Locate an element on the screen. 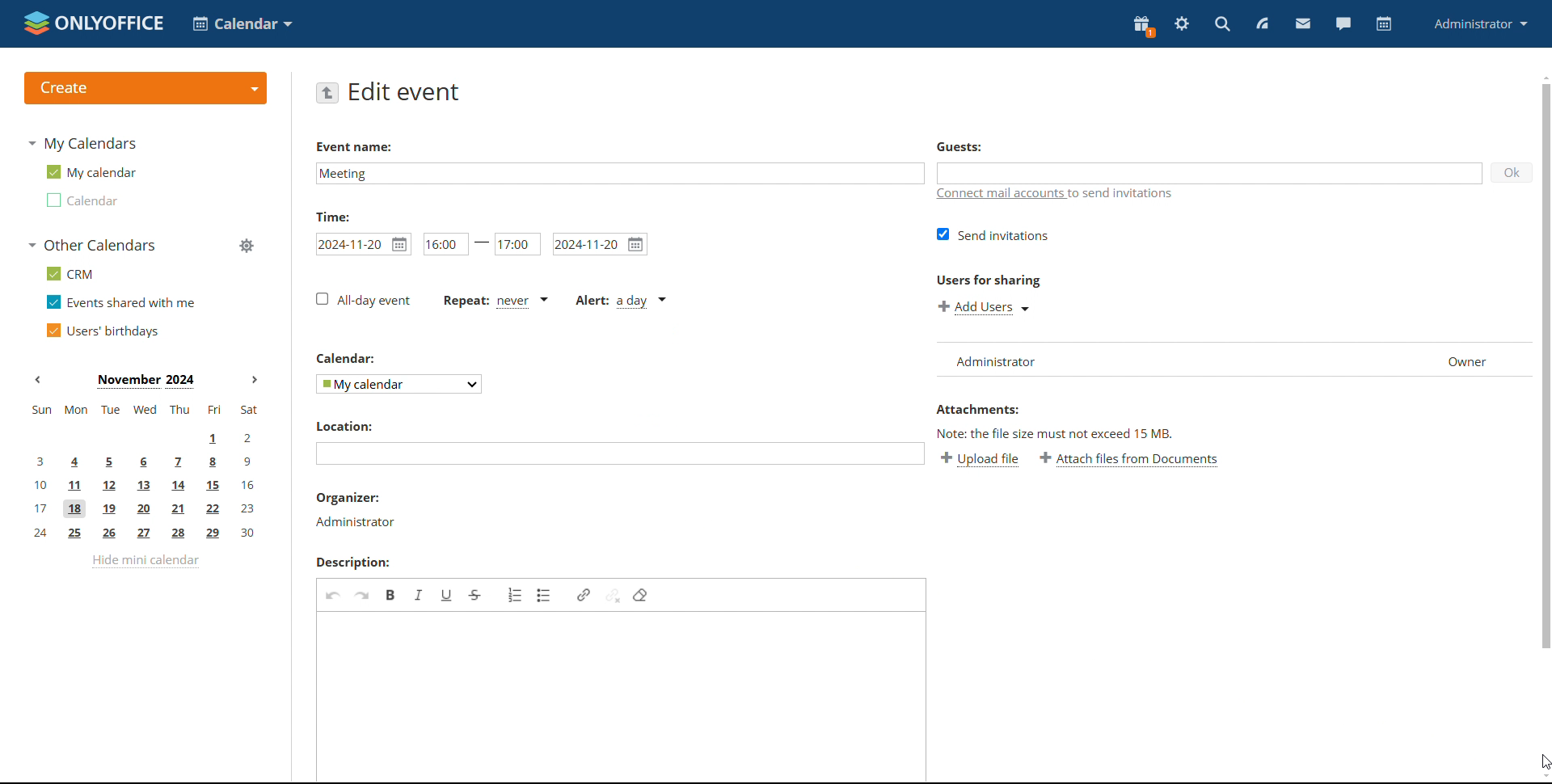 This screenshot has height=784, width=1552. add location is located at coordinates (620, 454).